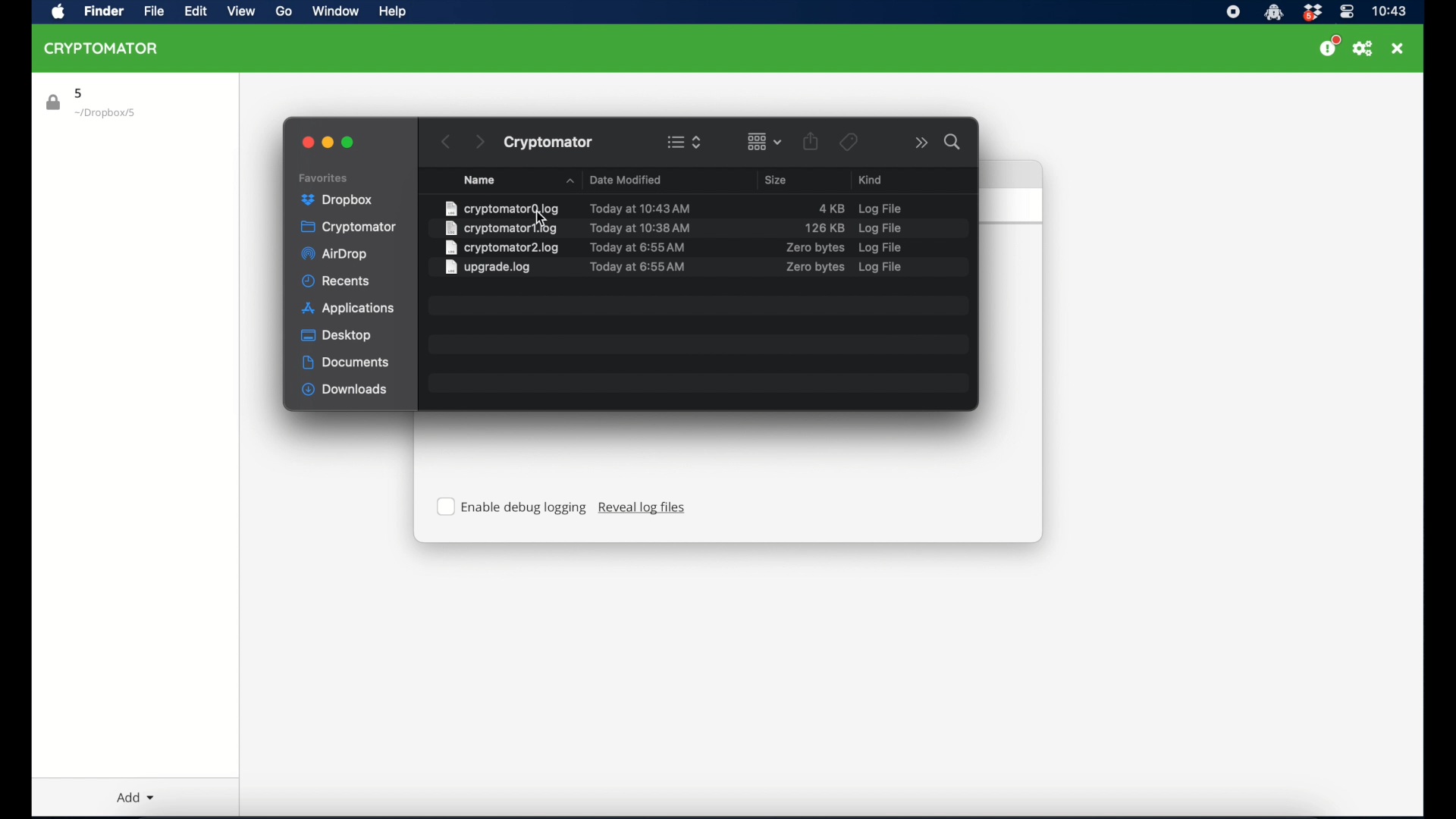 The image size is (1456, 819). Describe the element at coordinates (500, 228) in the screenshot. I see `file` at that location.